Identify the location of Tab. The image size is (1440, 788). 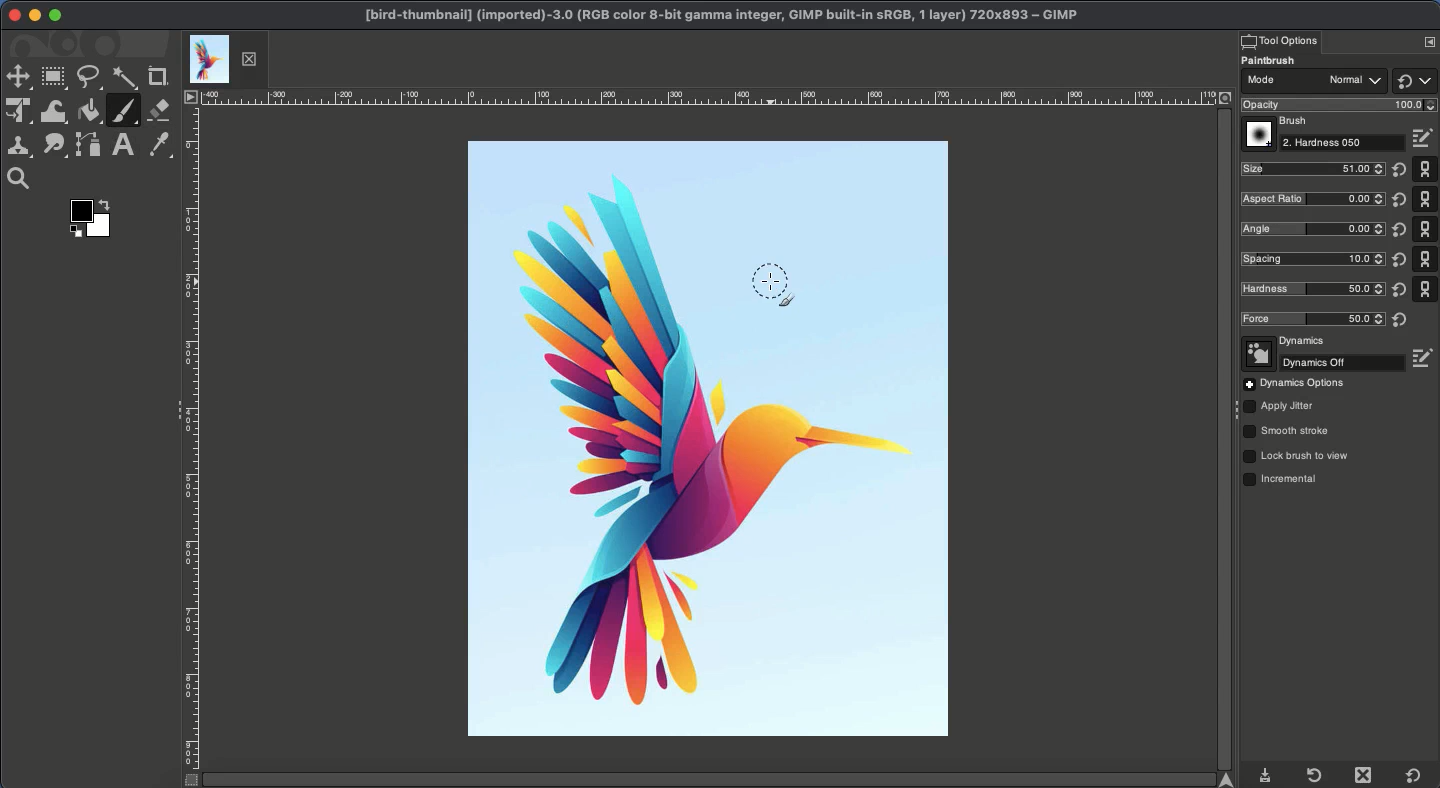
(224, 59).